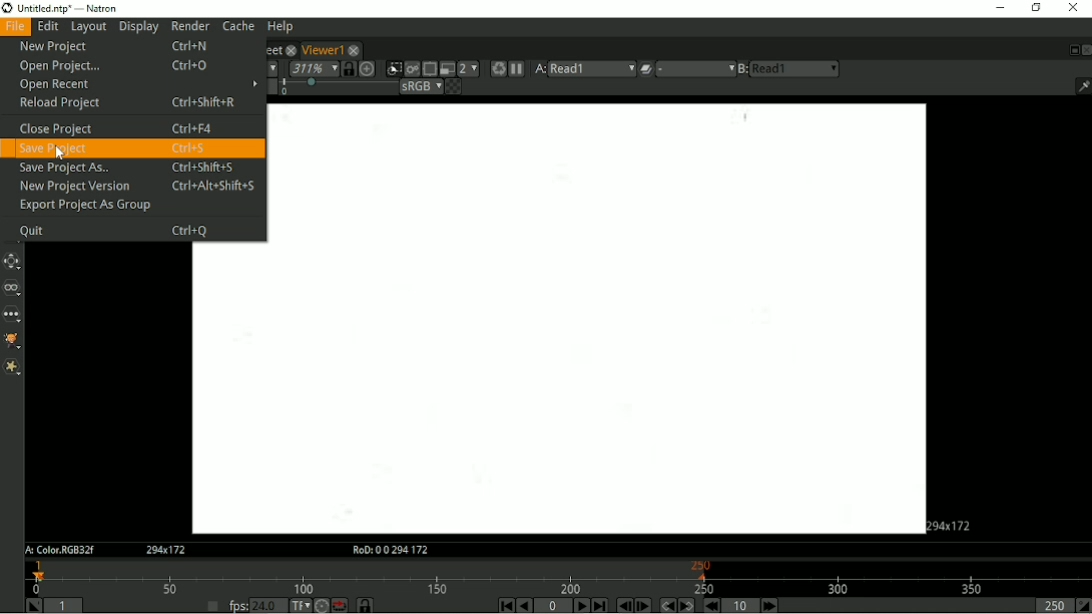 The height and width of the screenshot is (614, 1092). What do you see at coordinates (796, 68) in the screenshot?
I see `read1` at bounding box center [796, 68].